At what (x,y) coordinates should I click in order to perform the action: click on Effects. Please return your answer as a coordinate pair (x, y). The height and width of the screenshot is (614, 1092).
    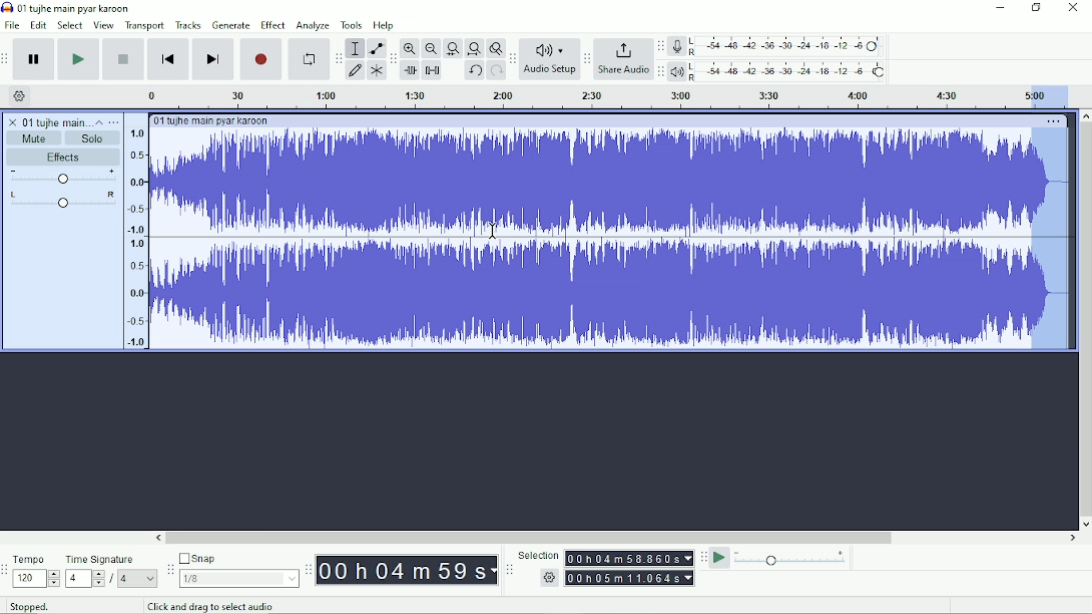
    Looking at the image, I should click on (63, 157).